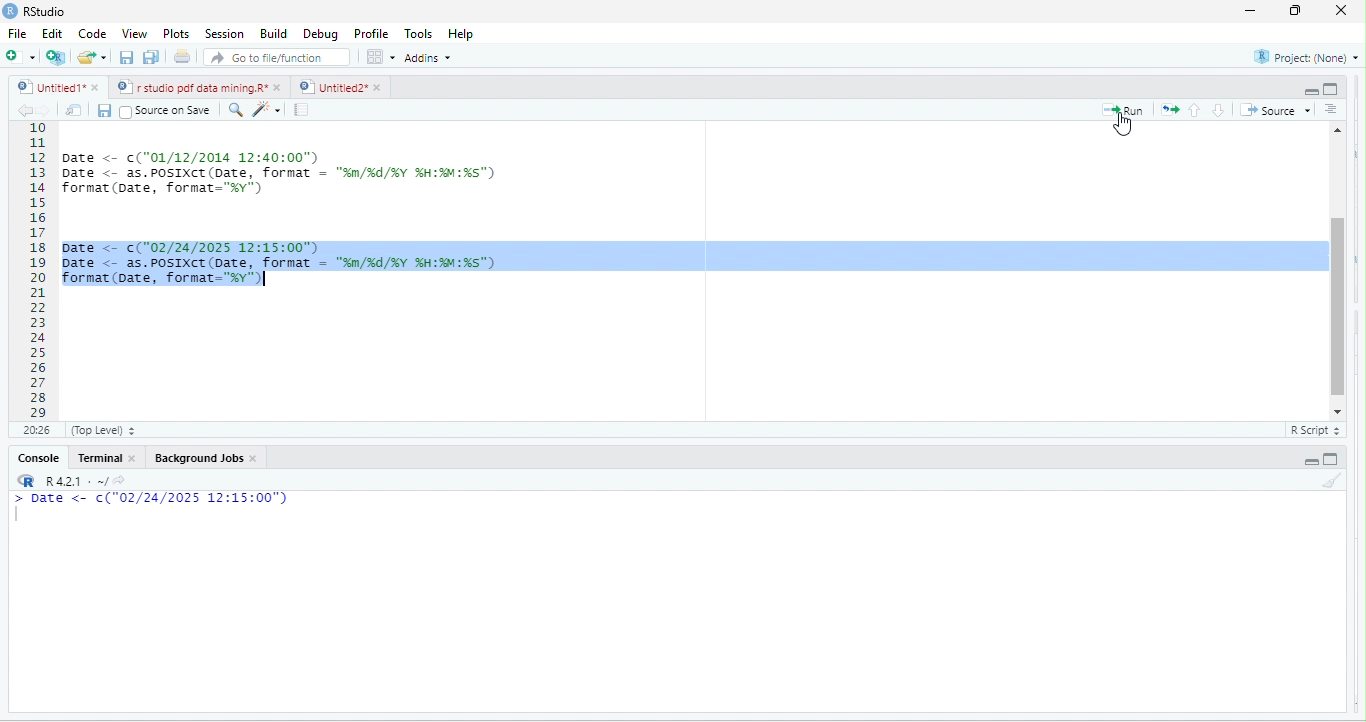 This screenshot has width=1366, height=722. I want to click on save current document, so click(108, 112).